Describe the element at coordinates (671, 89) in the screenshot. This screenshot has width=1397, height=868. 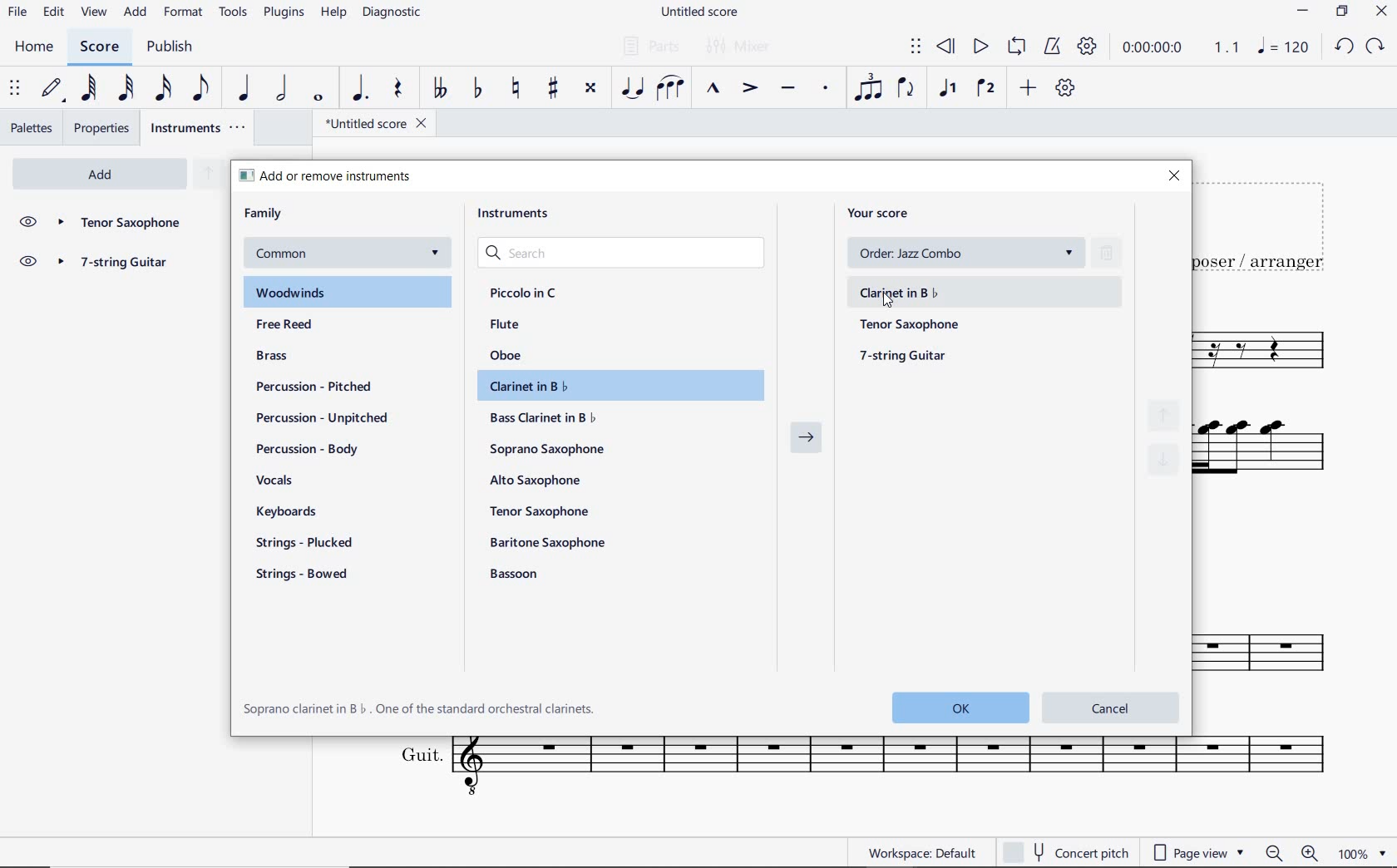
I see `SLUR` at that location.